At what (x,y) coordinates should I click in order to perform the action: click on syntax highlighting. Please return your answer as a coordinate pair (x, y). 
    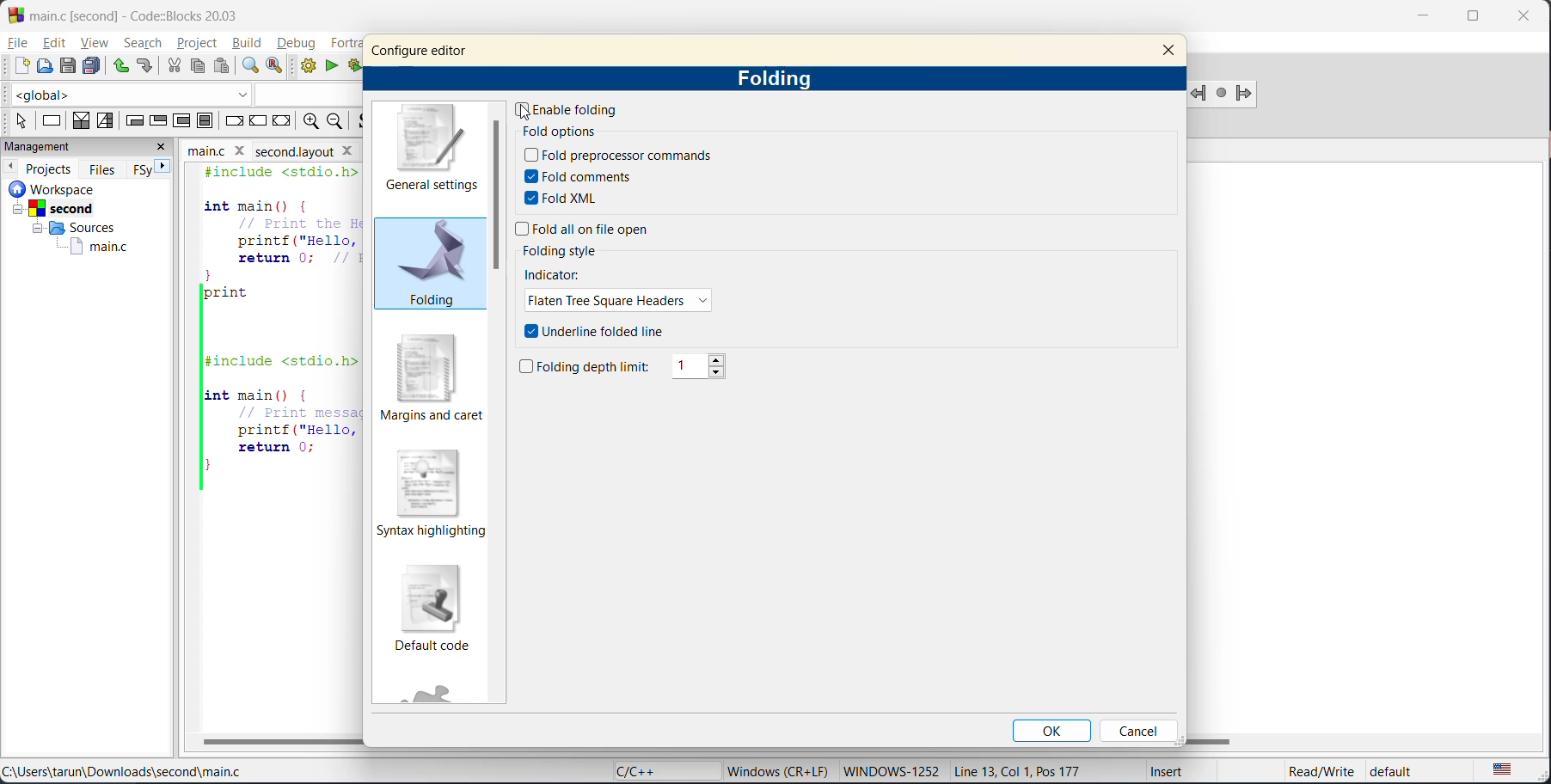
    Looking at the image, I should click on (435, 493).